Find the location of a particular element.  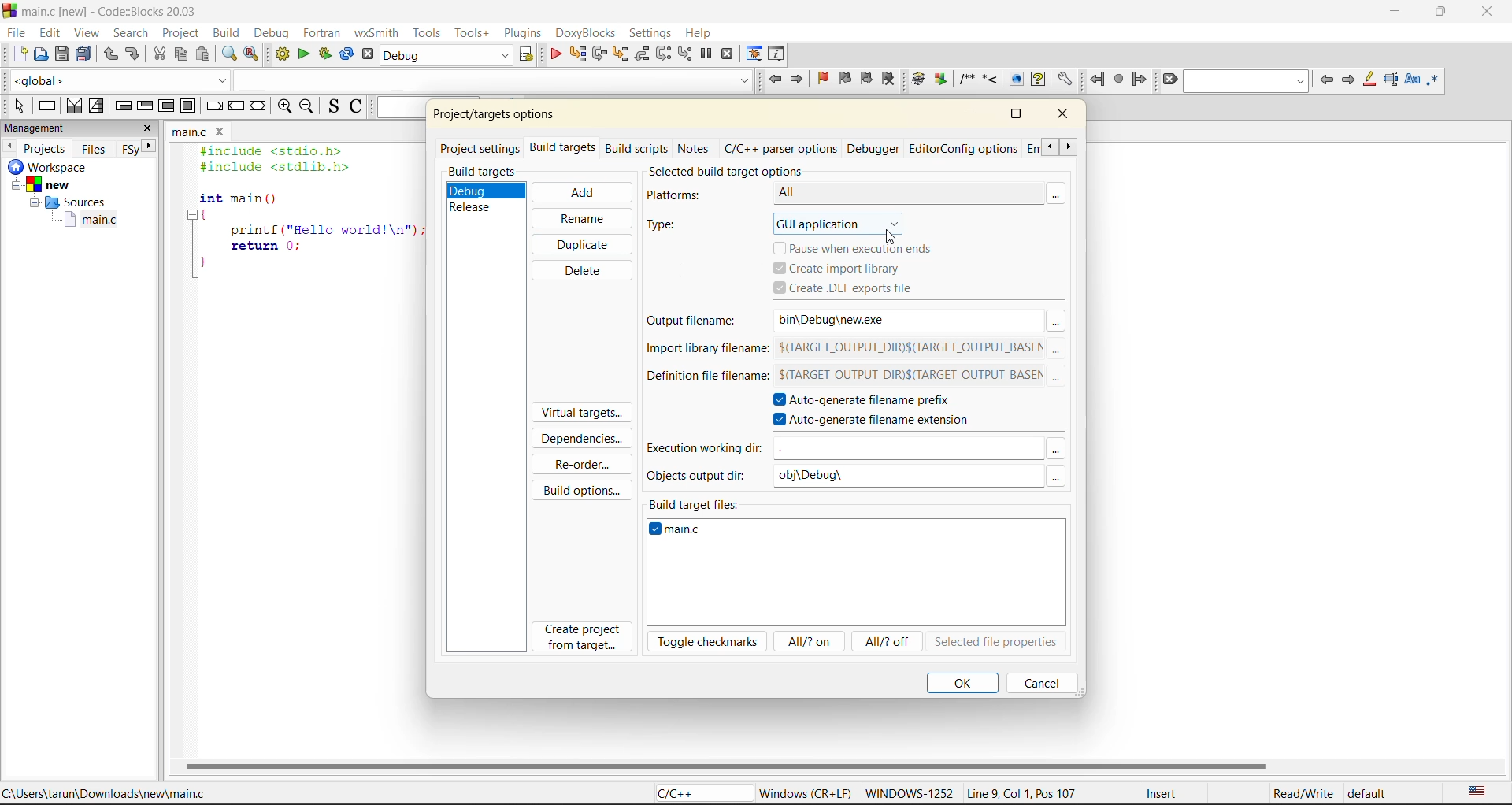

Read/Write is located at coordinates (1302, 794).